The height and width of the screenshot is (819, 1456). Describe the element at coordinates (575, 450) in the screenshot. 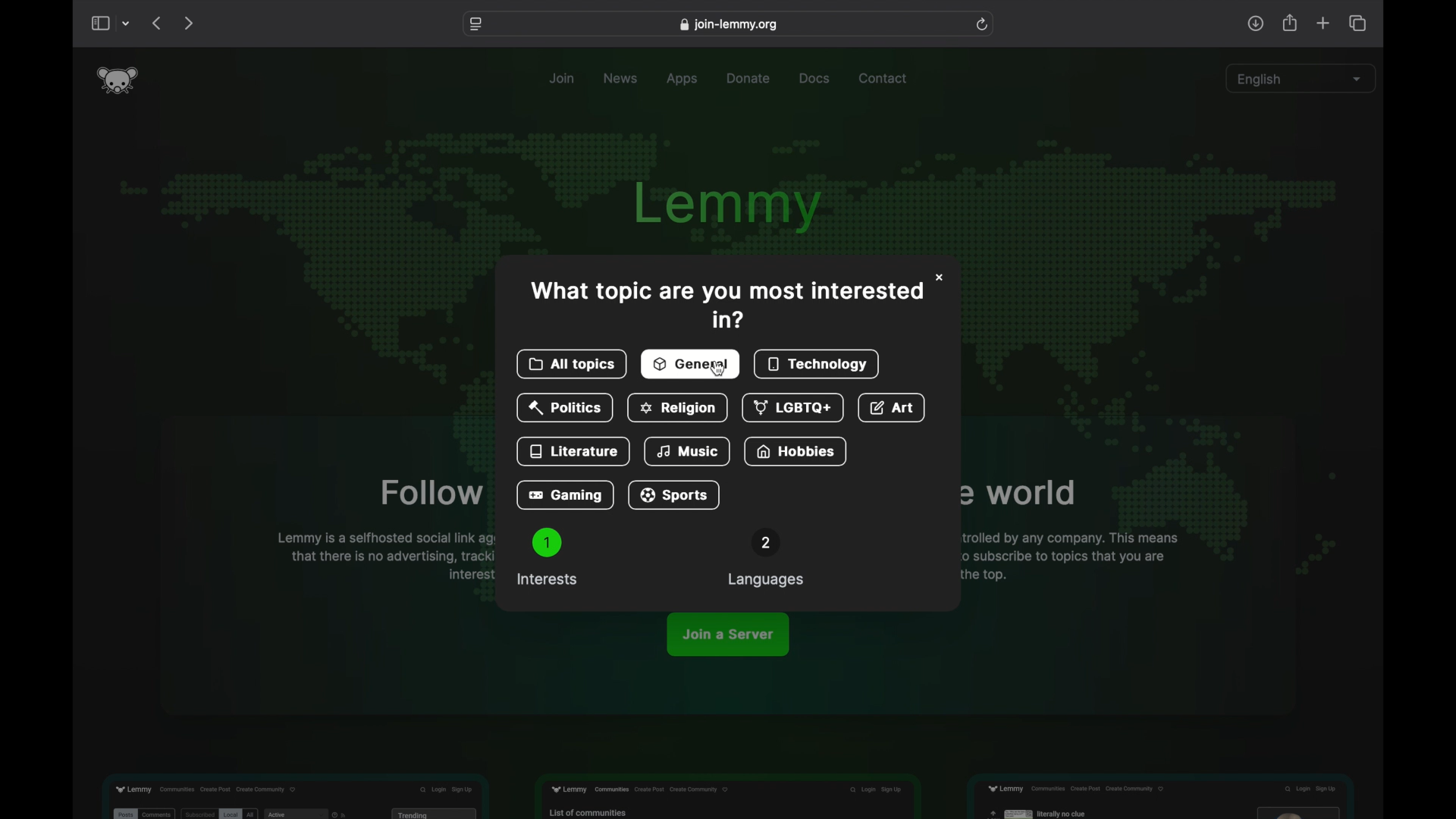

I see `literature` at that location.